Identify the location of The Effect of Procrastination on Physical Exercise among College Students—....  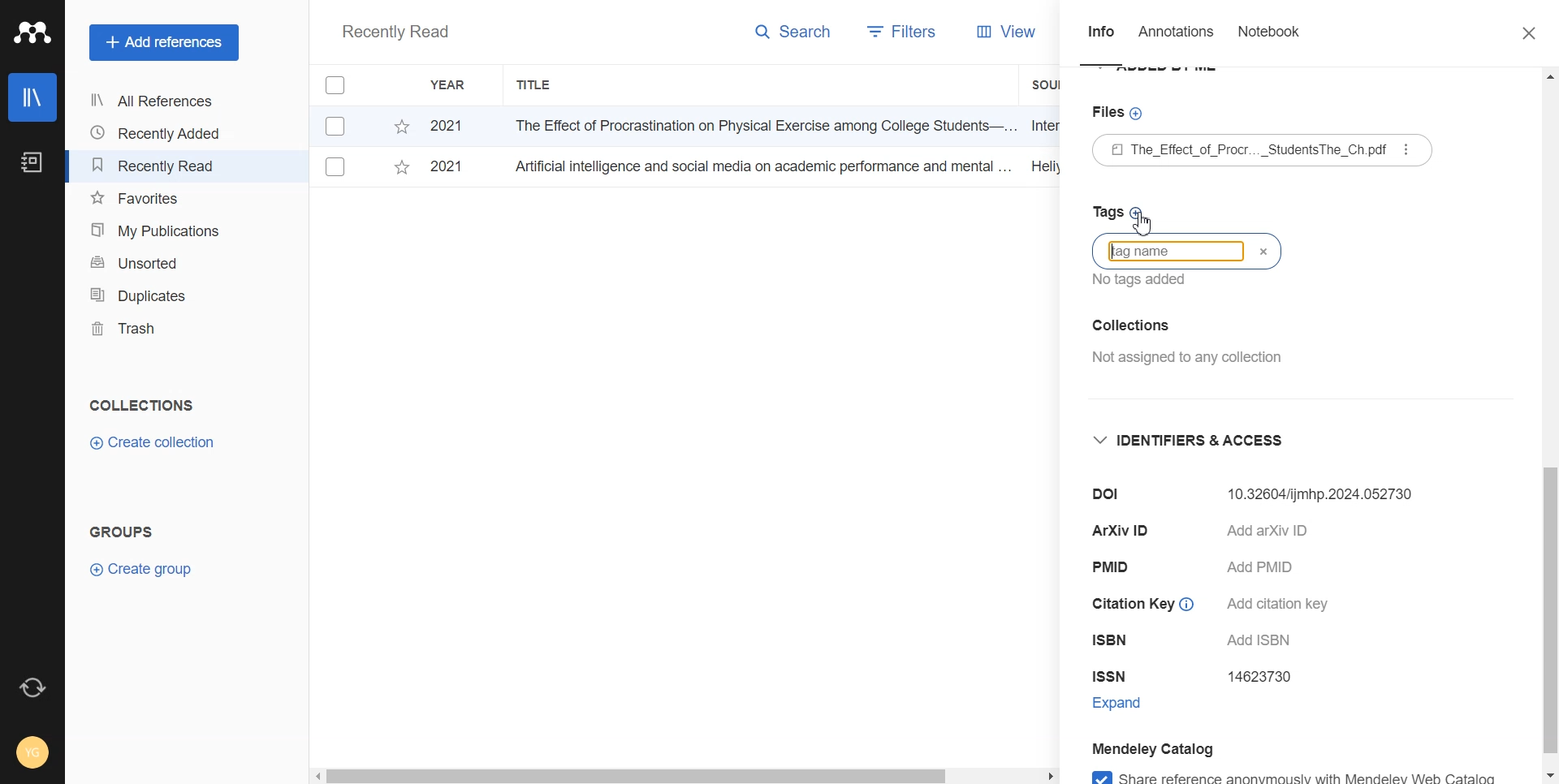
(759, 125).